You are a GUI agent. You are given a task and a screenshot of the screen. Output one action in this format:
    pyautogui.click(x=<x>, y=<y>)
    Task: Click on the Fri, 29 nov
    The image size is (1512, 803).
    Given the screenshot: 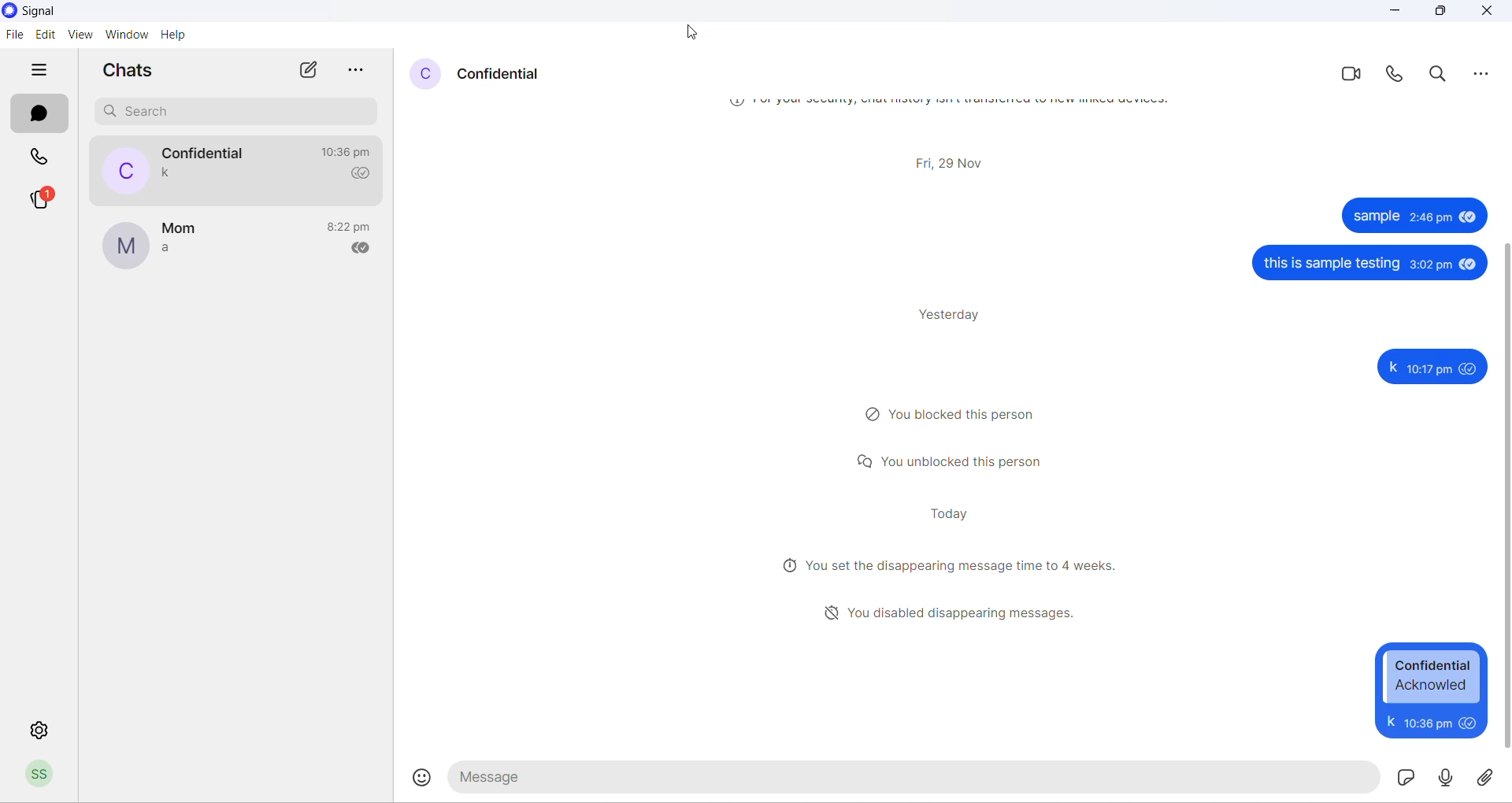 What is the action you would take?
    pyautogui.click(x=949, y=161)
    